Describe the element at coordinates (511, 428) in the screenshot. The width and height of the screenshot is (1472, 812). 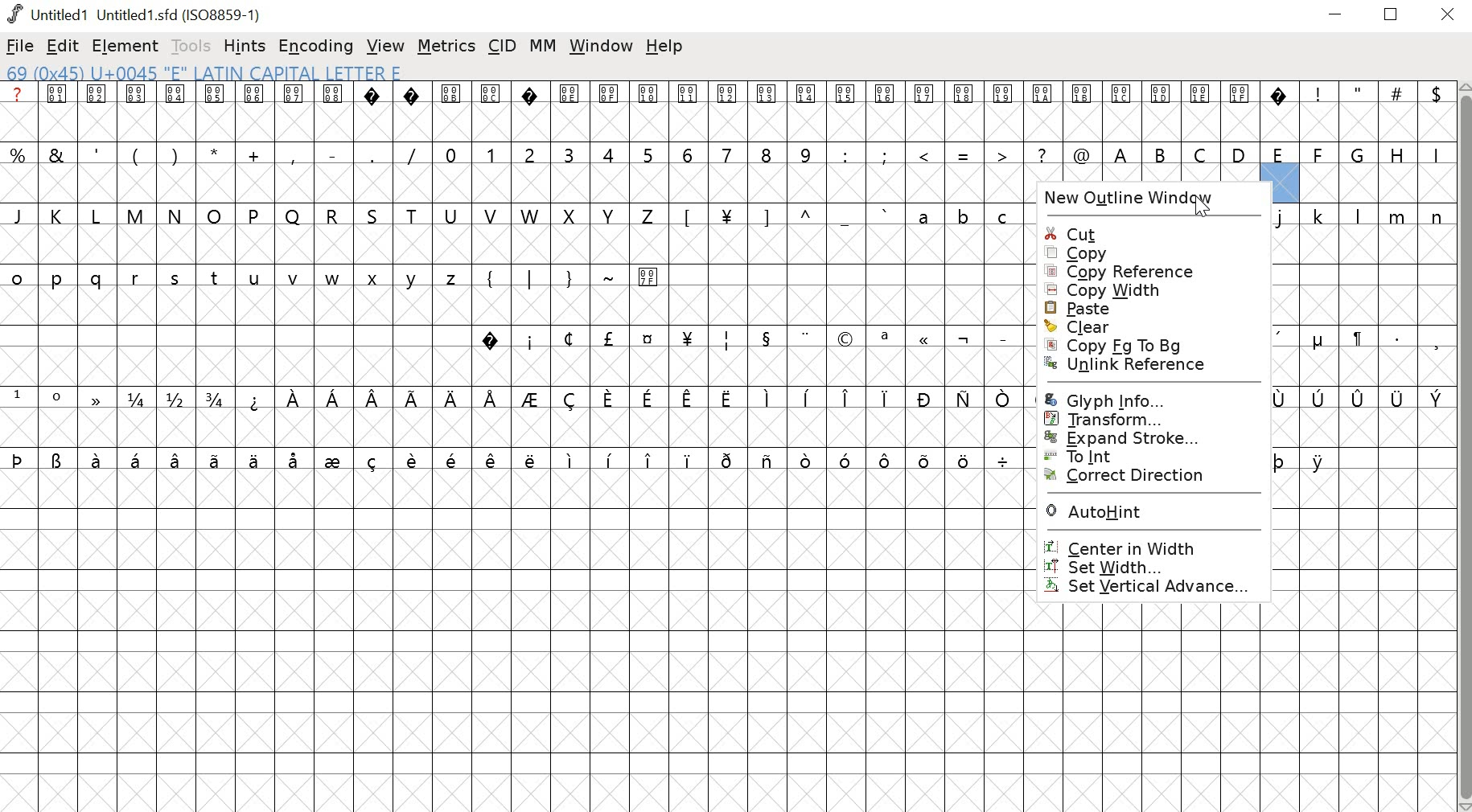
I see `empty cells` at that location.